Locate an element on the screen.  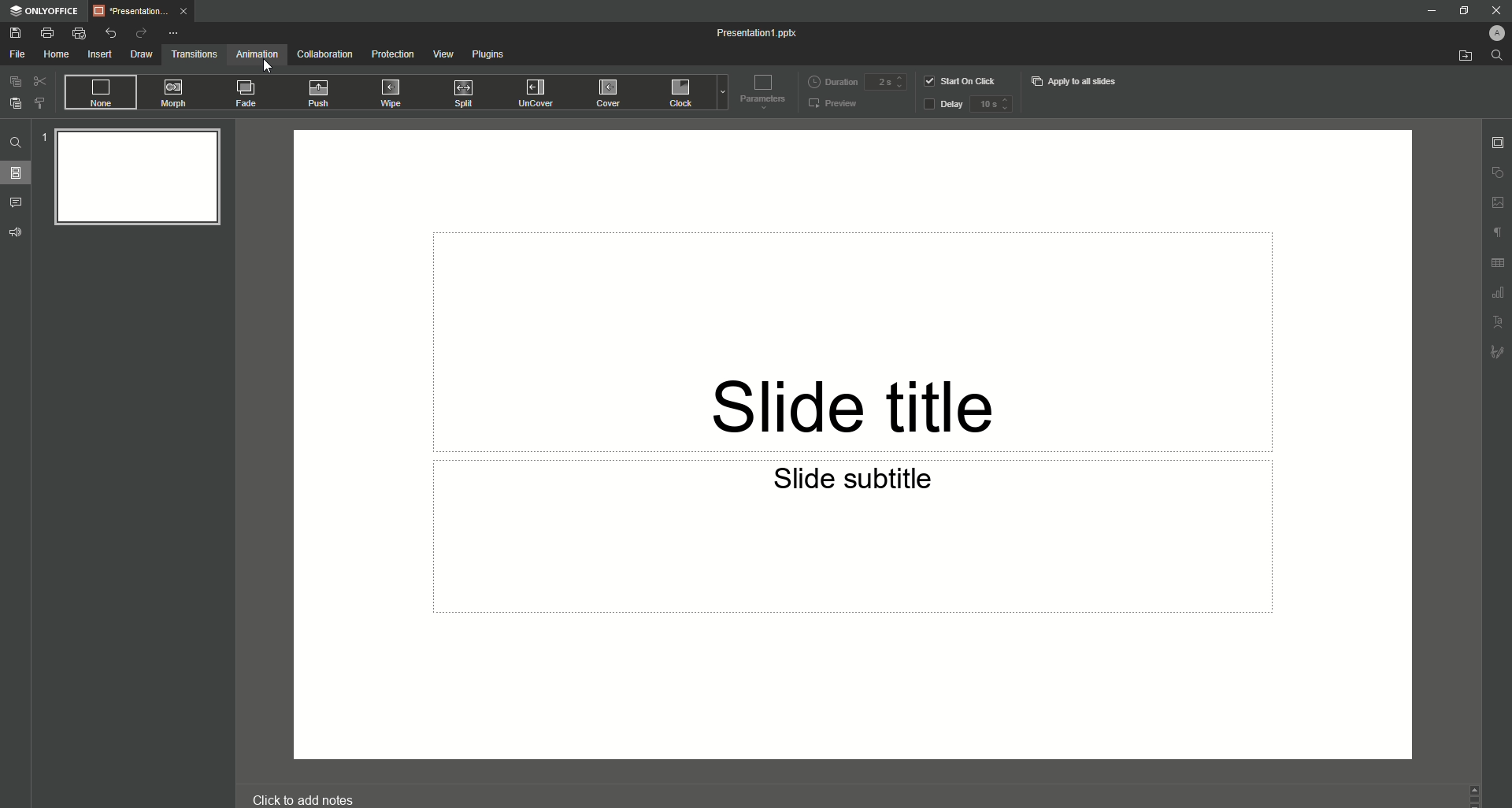
Slide Subtitle is located at coordinates (859, 482).